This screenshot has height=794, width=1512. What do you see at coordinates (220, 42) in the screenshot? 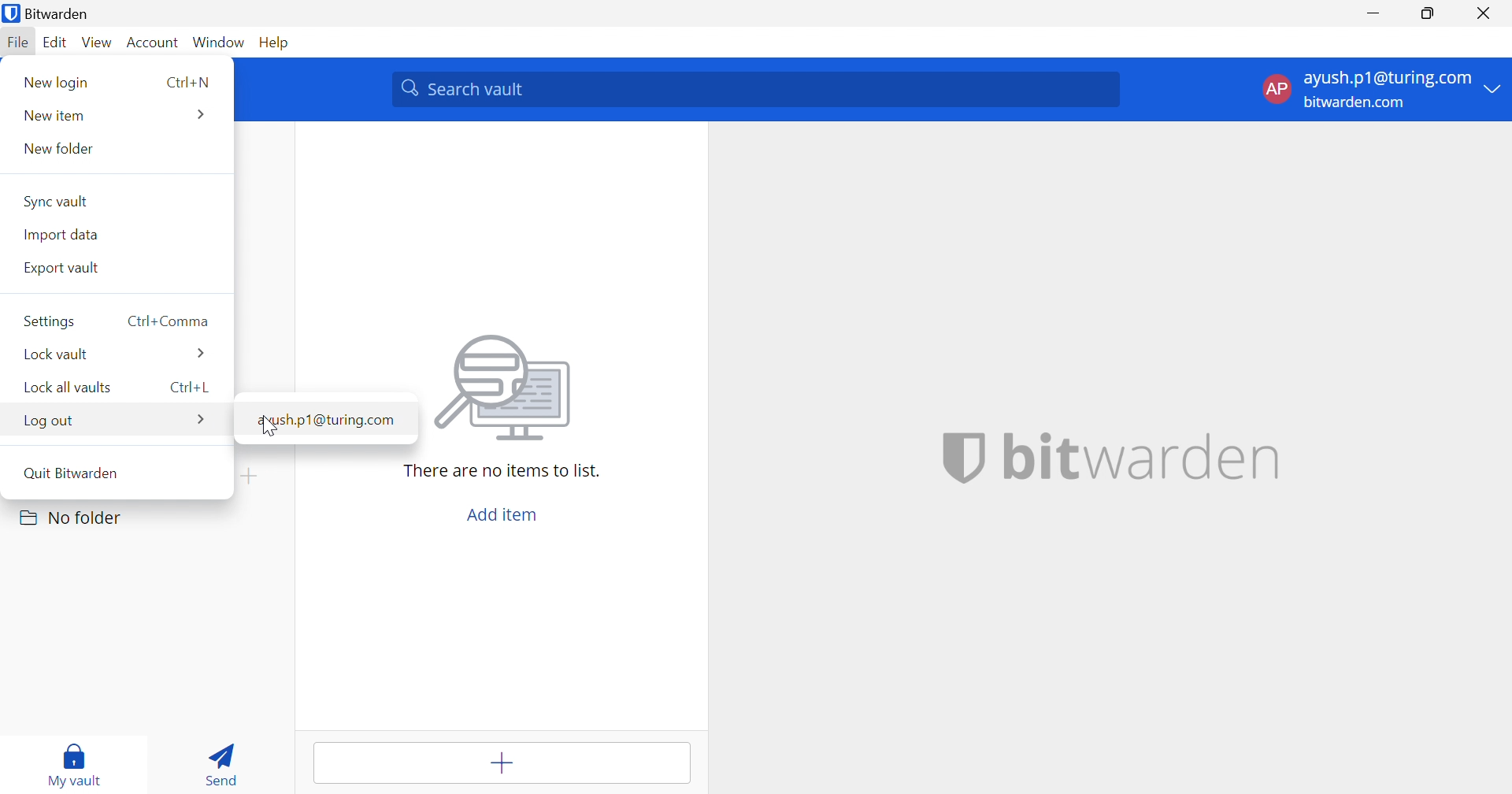
I see `Window` at bounding box center [220, 42].